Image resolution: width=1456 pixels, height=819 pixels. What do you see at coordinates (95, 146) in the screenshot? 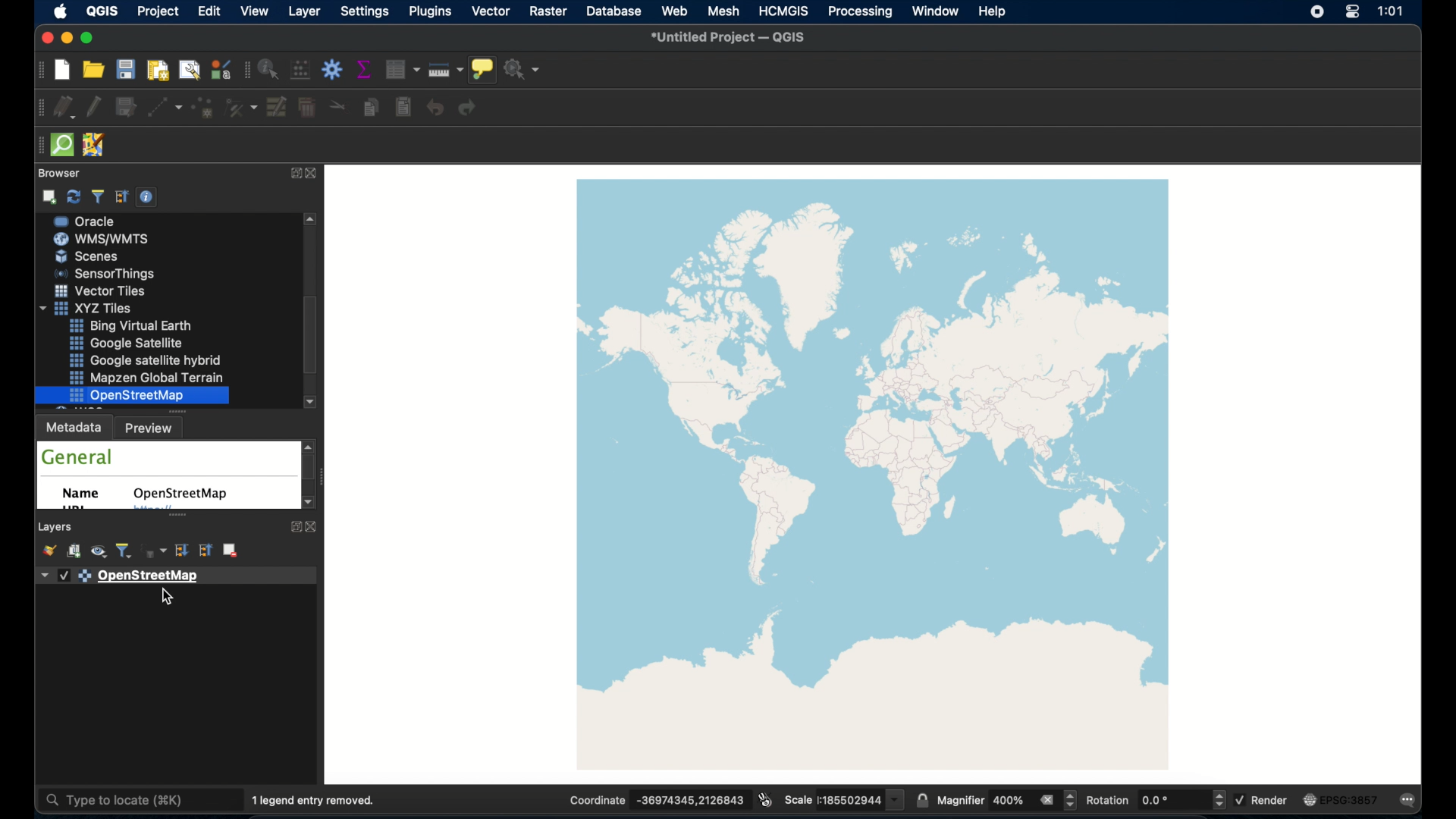
I see `JSOM remote` at bounding box center [95, 146].